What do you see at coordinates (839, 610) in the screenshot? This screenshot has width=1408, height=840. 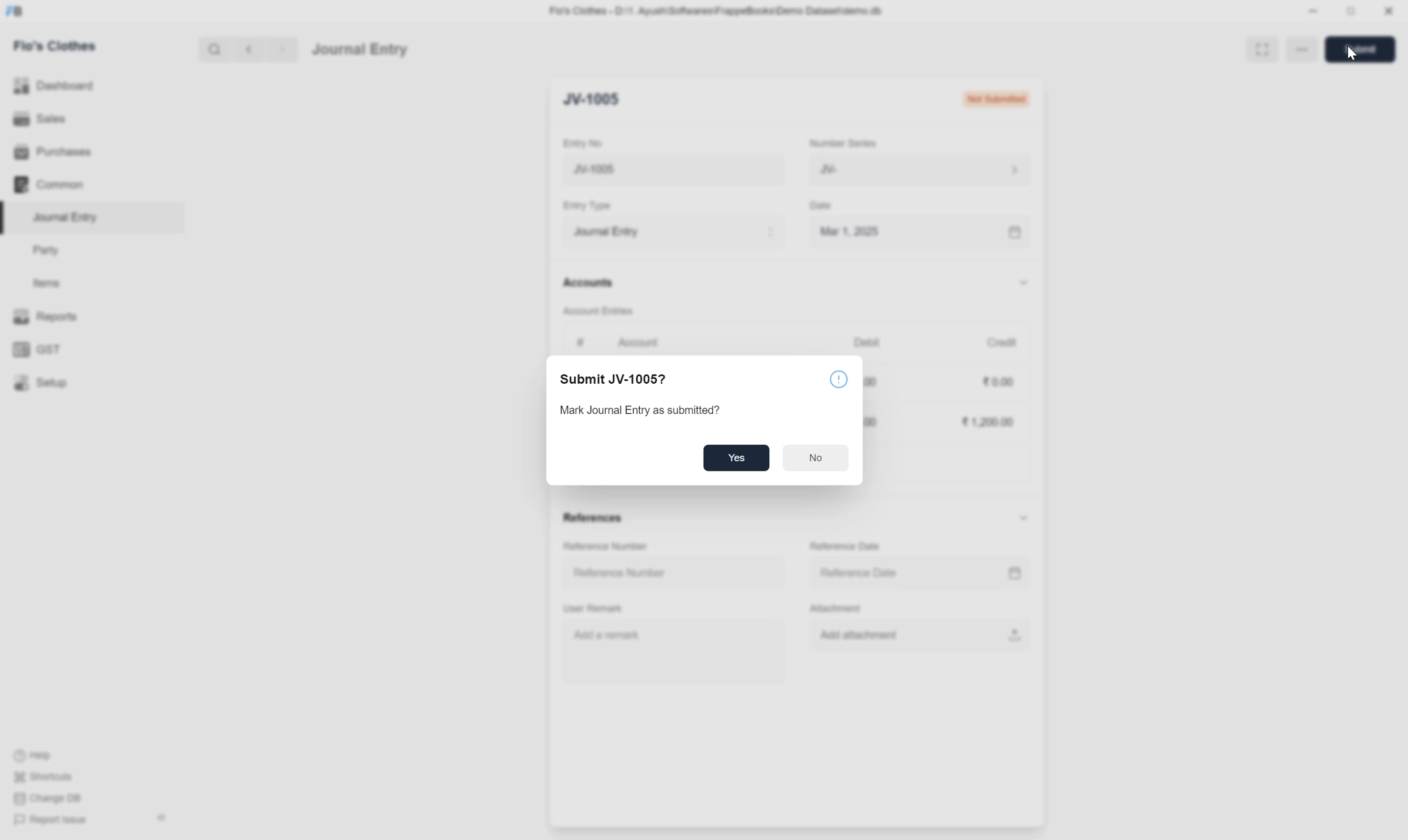 I see `Attachment` at bounding box center [839, 610].